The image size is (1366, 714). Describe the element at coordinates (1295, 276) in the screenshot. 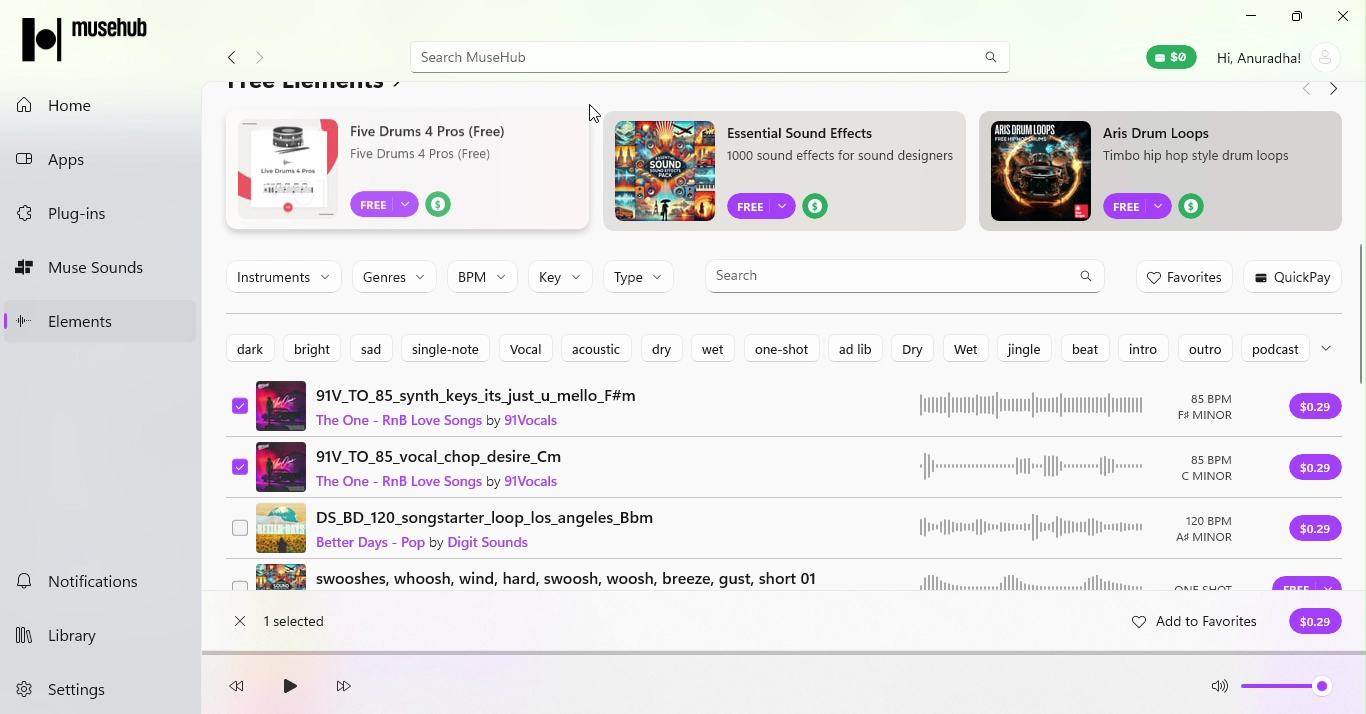

I see `Quick play` at that location.